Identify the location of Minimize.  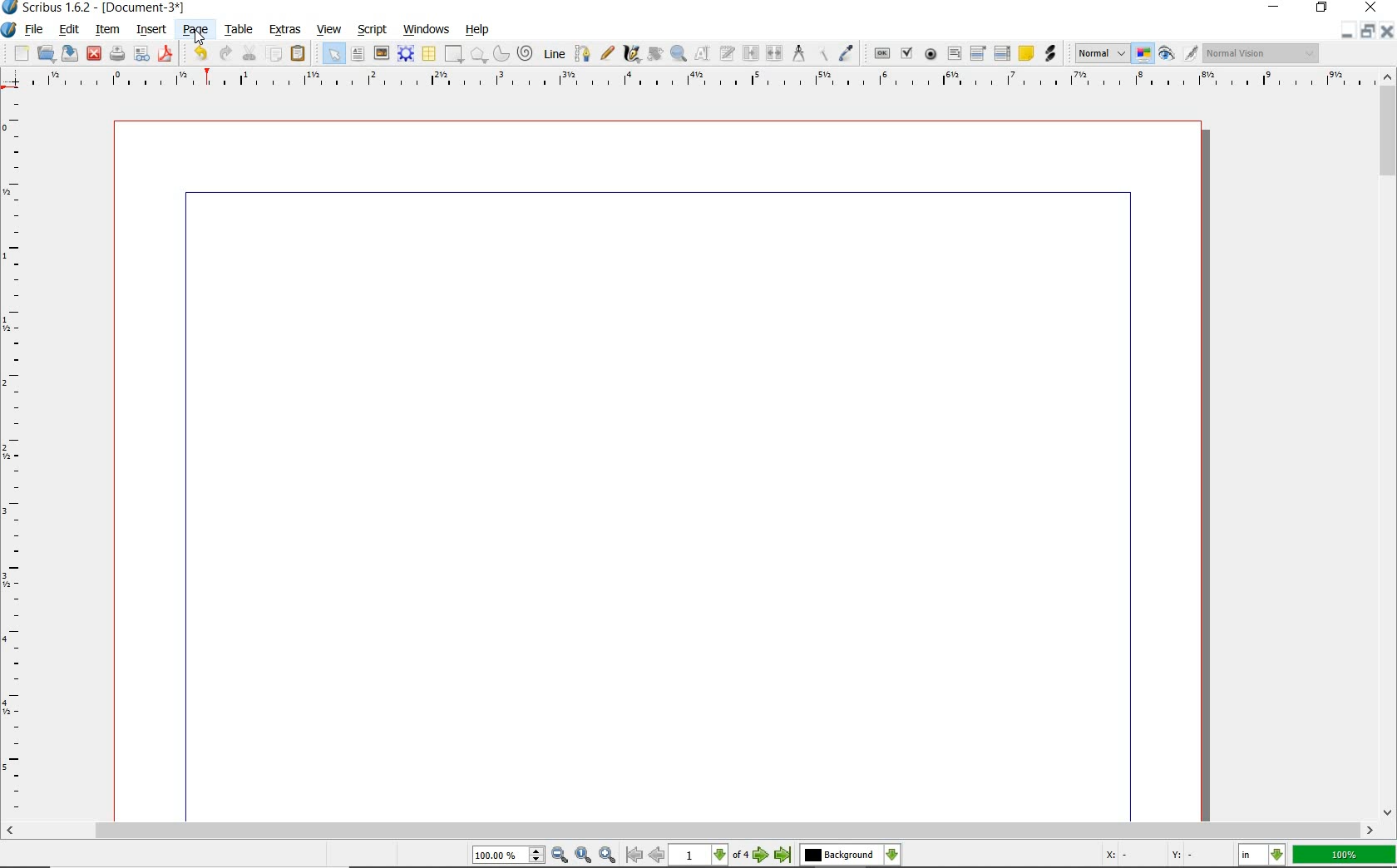
(1367, 33).